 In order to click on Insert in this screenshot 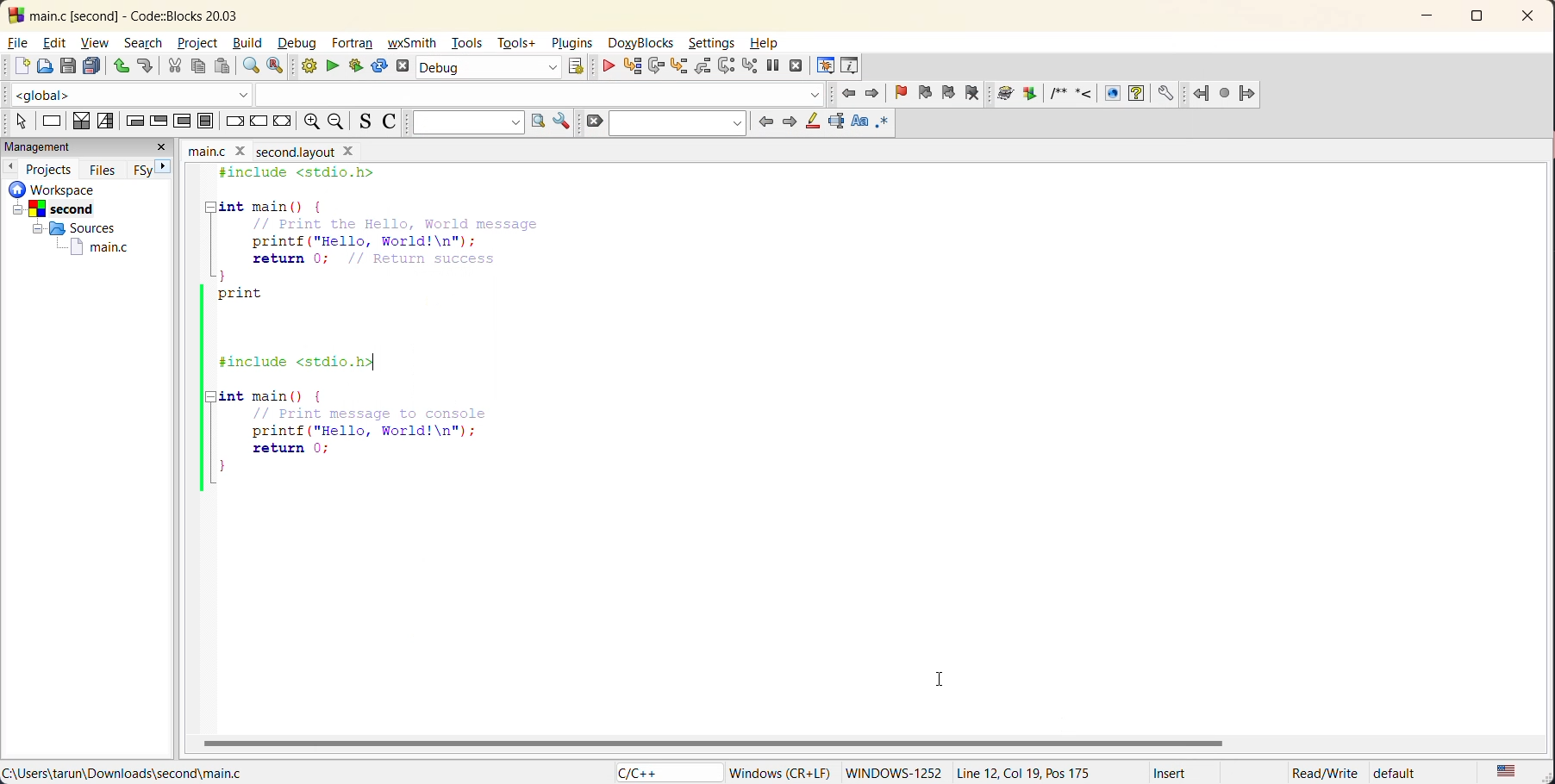, I will do `click(1172, 773)`.